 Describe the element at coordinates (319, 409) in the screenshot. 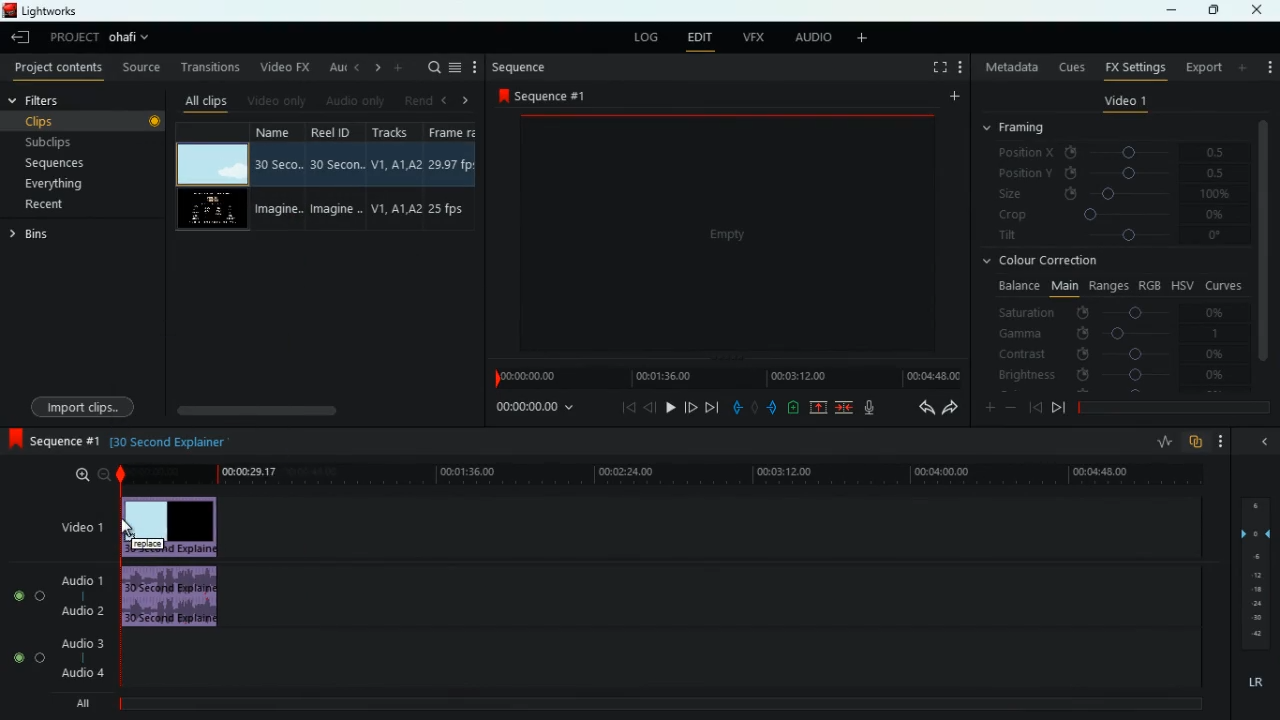

I see `scroll` at that location.